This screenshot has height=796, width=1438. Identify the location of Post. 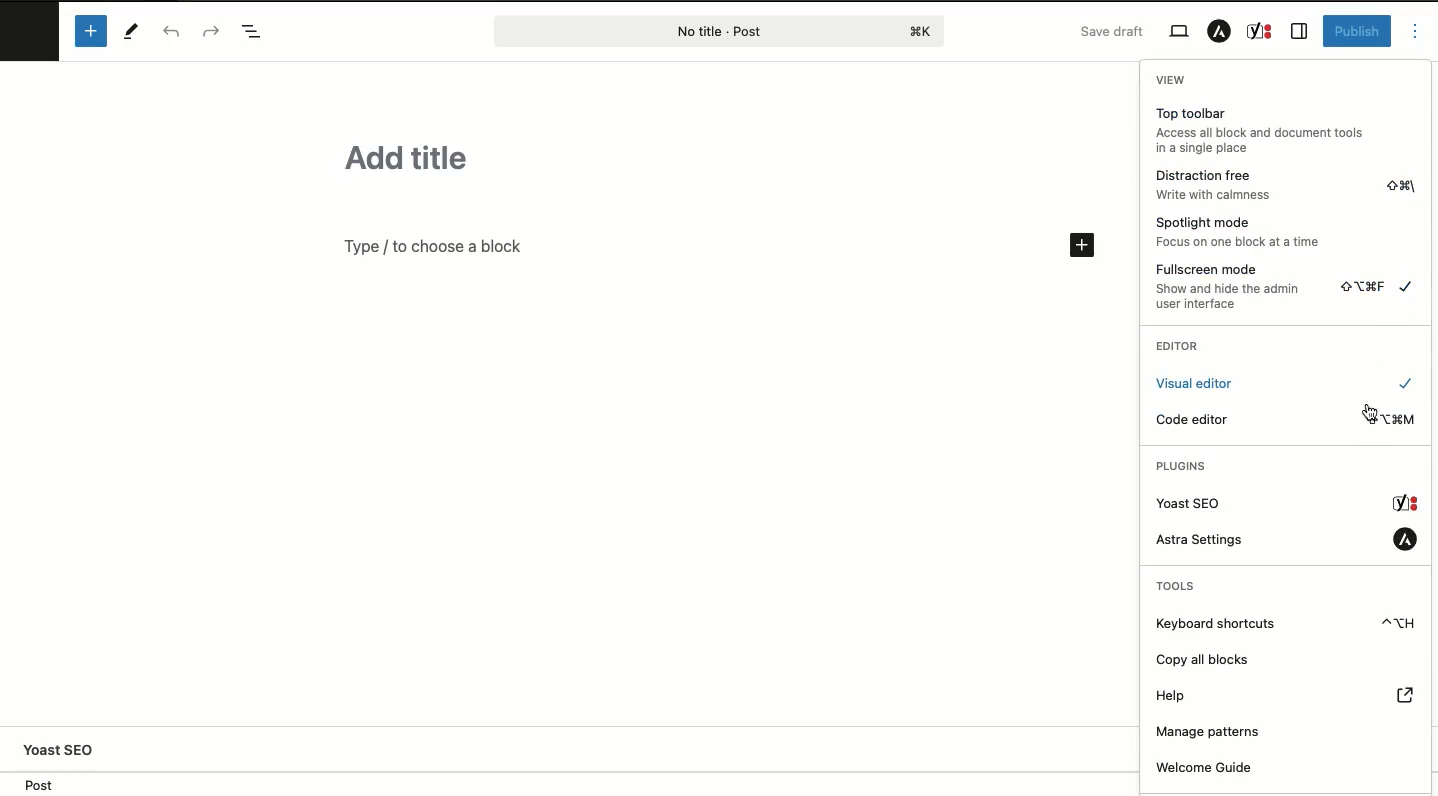
(717, 31).